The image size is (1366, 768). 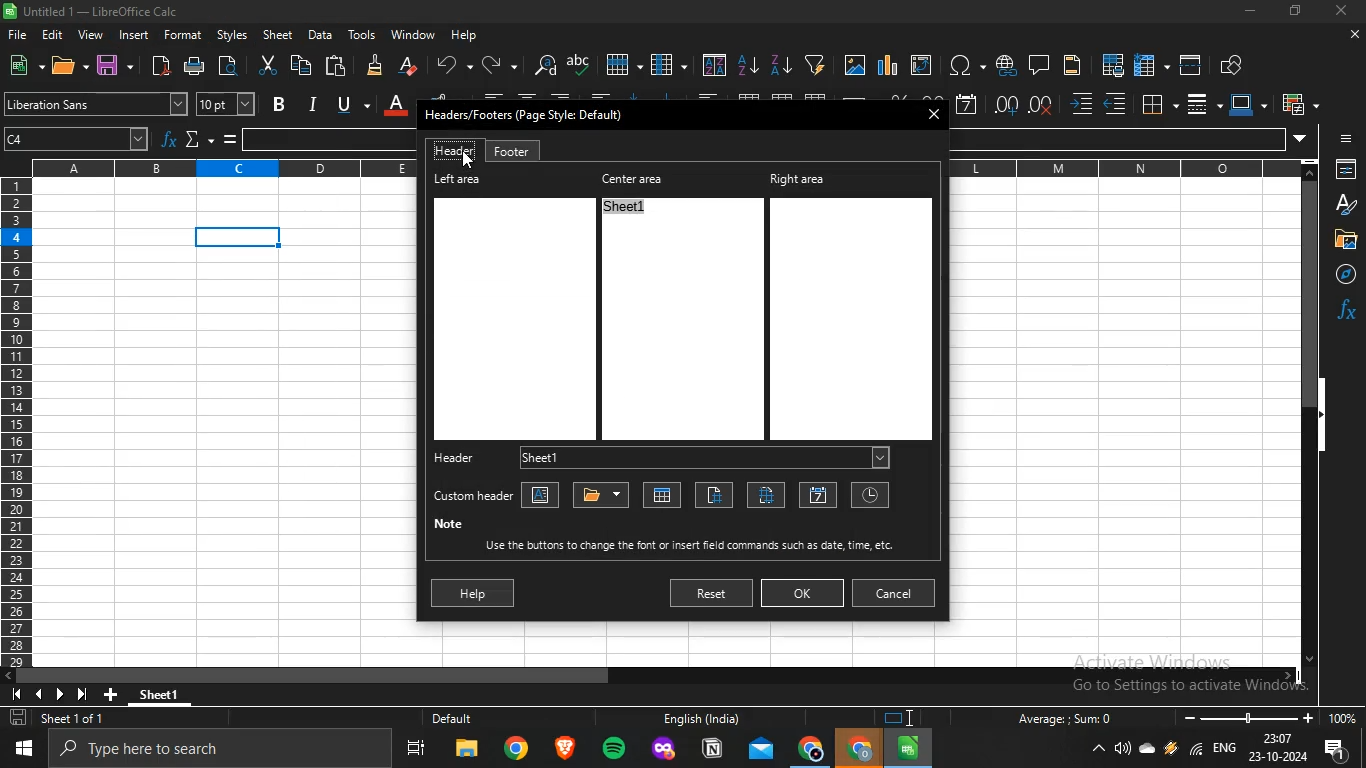 What do you see at coordinates (526, 114) in the screenshot?
I see `Headers/Footers (Page Style: Default)` at bounding box center [526, 114].